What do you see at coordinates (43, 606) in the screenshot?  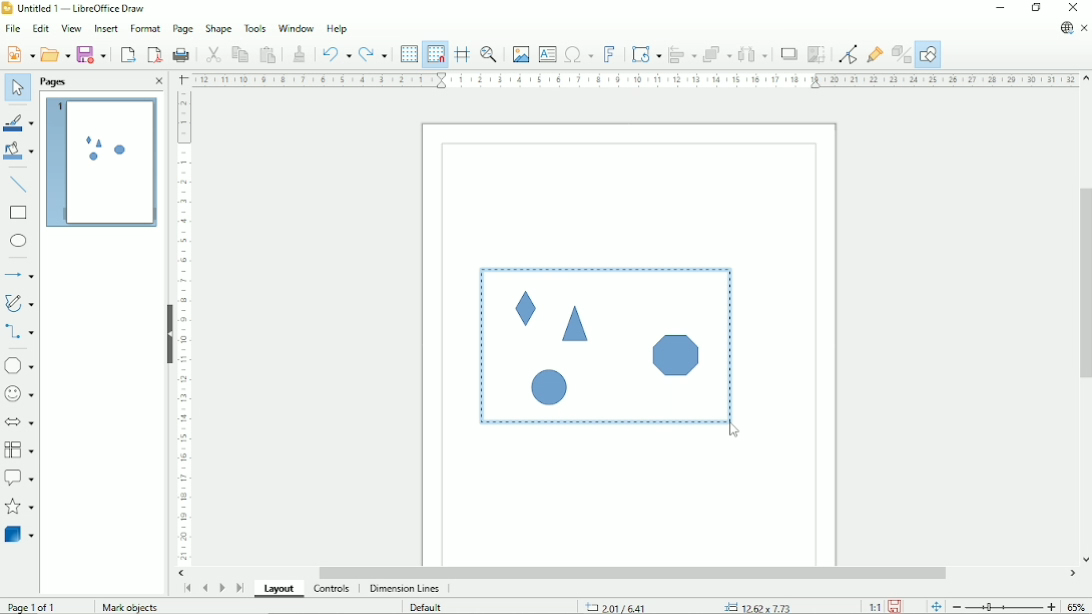 I see `Page 1 of 1` at bounding box center [43, 606].